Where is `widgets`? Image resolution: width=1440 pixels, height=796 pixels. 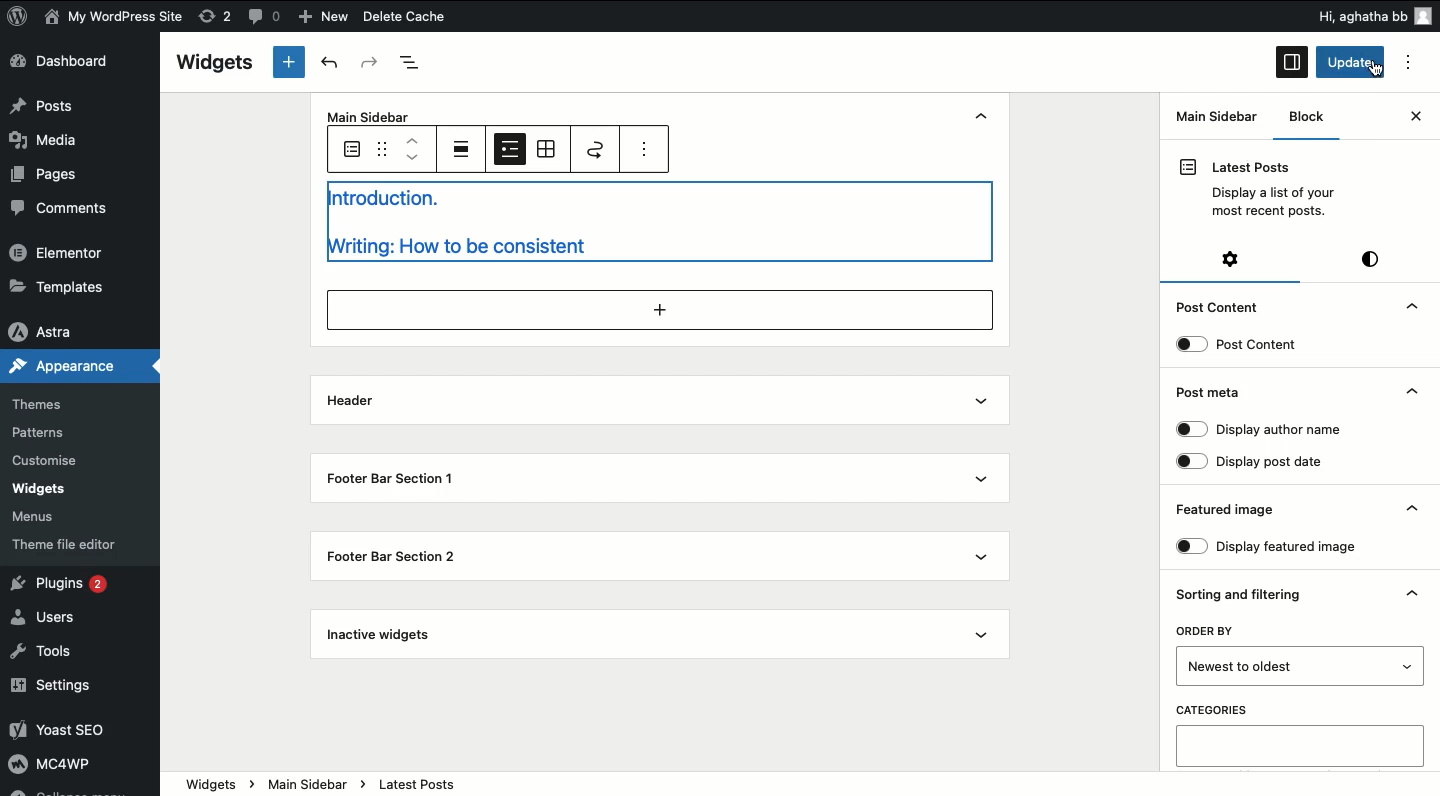 widgets is located at coordinates (211, 783).